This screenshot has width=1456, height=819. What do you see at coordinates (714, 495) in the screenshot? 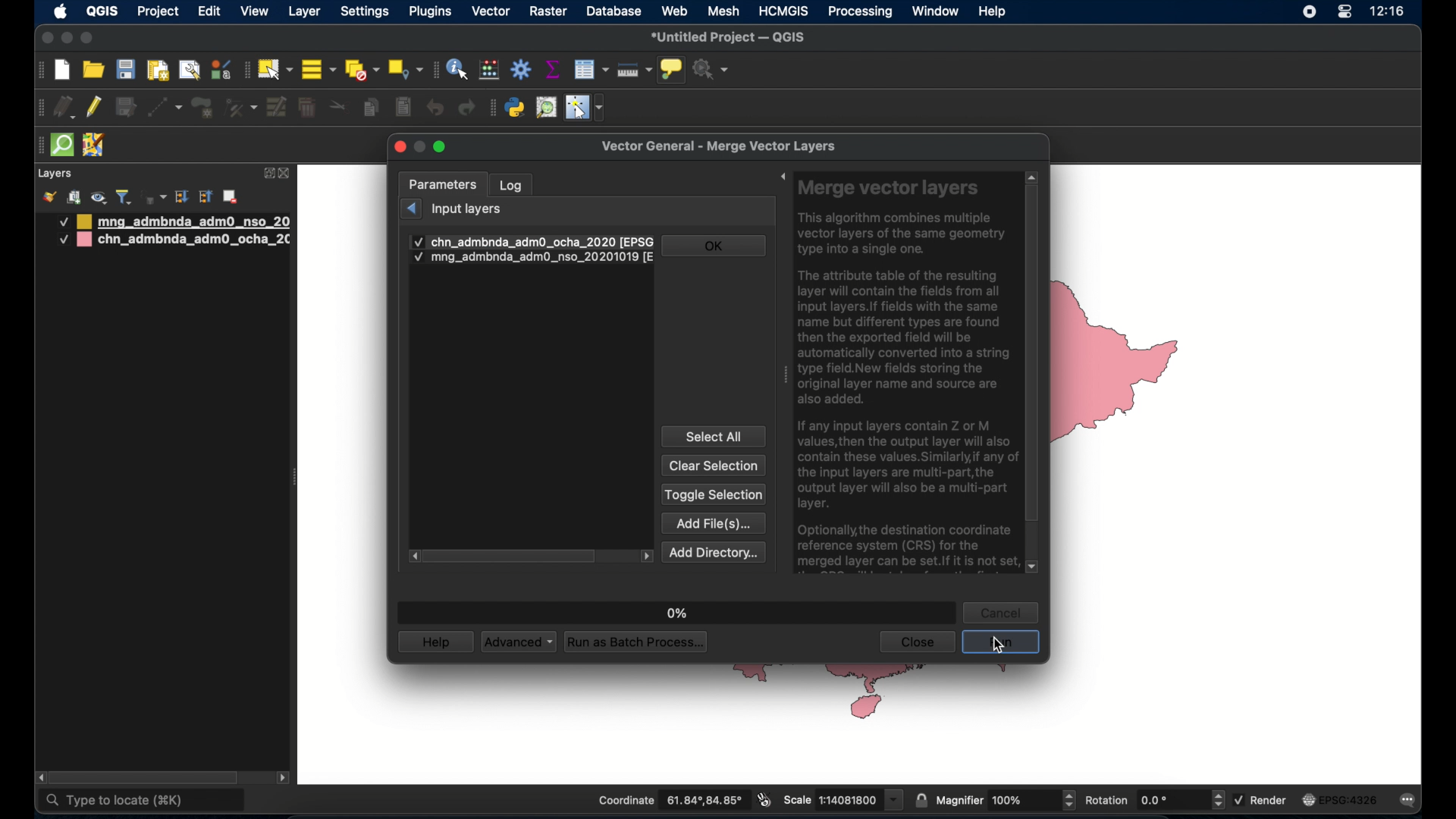
I see `toggle selection` at bounding box center [714, 495].